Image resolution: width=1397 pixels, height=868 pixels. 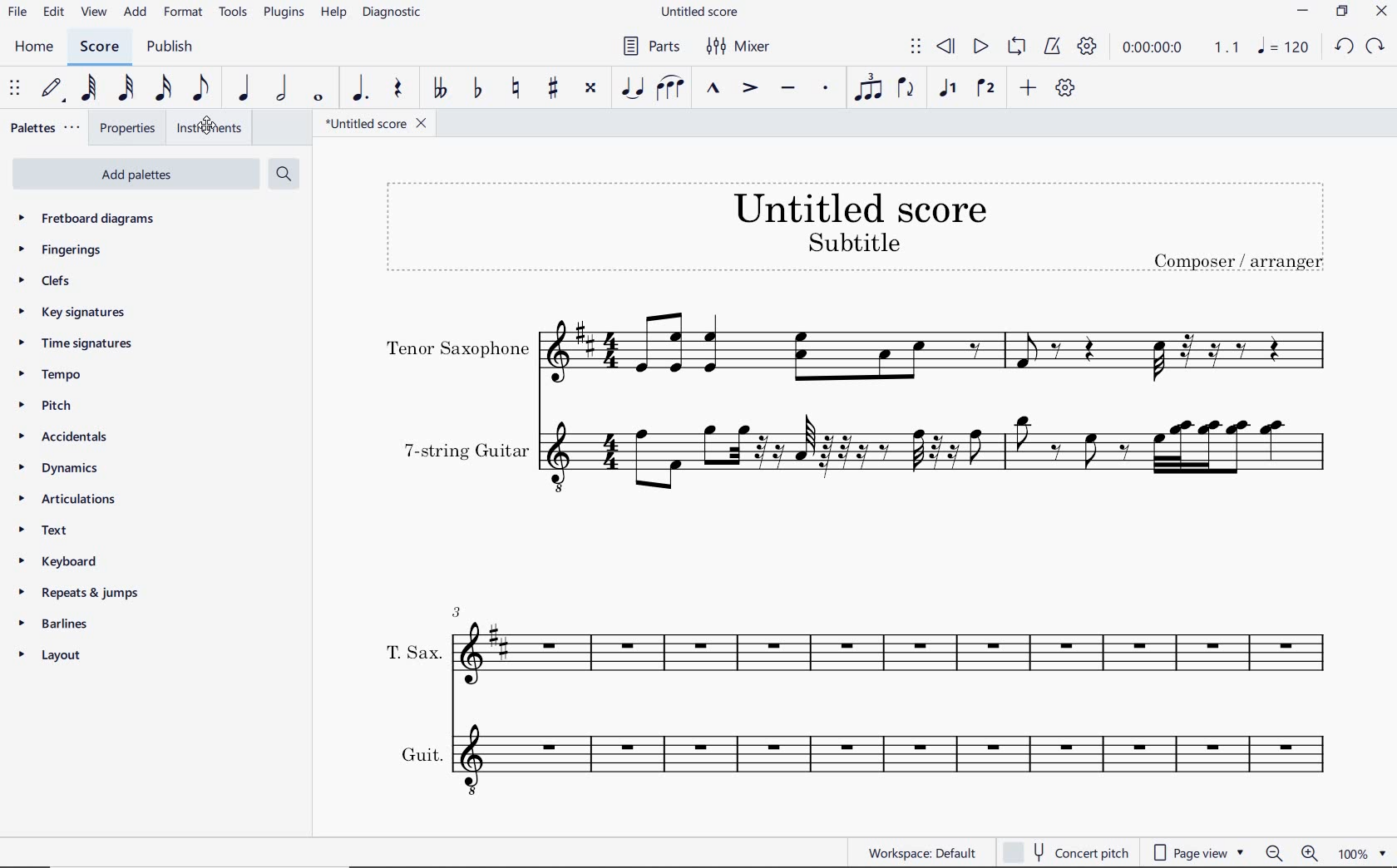 I want to click on MIXER, so click(x=740, y=47).